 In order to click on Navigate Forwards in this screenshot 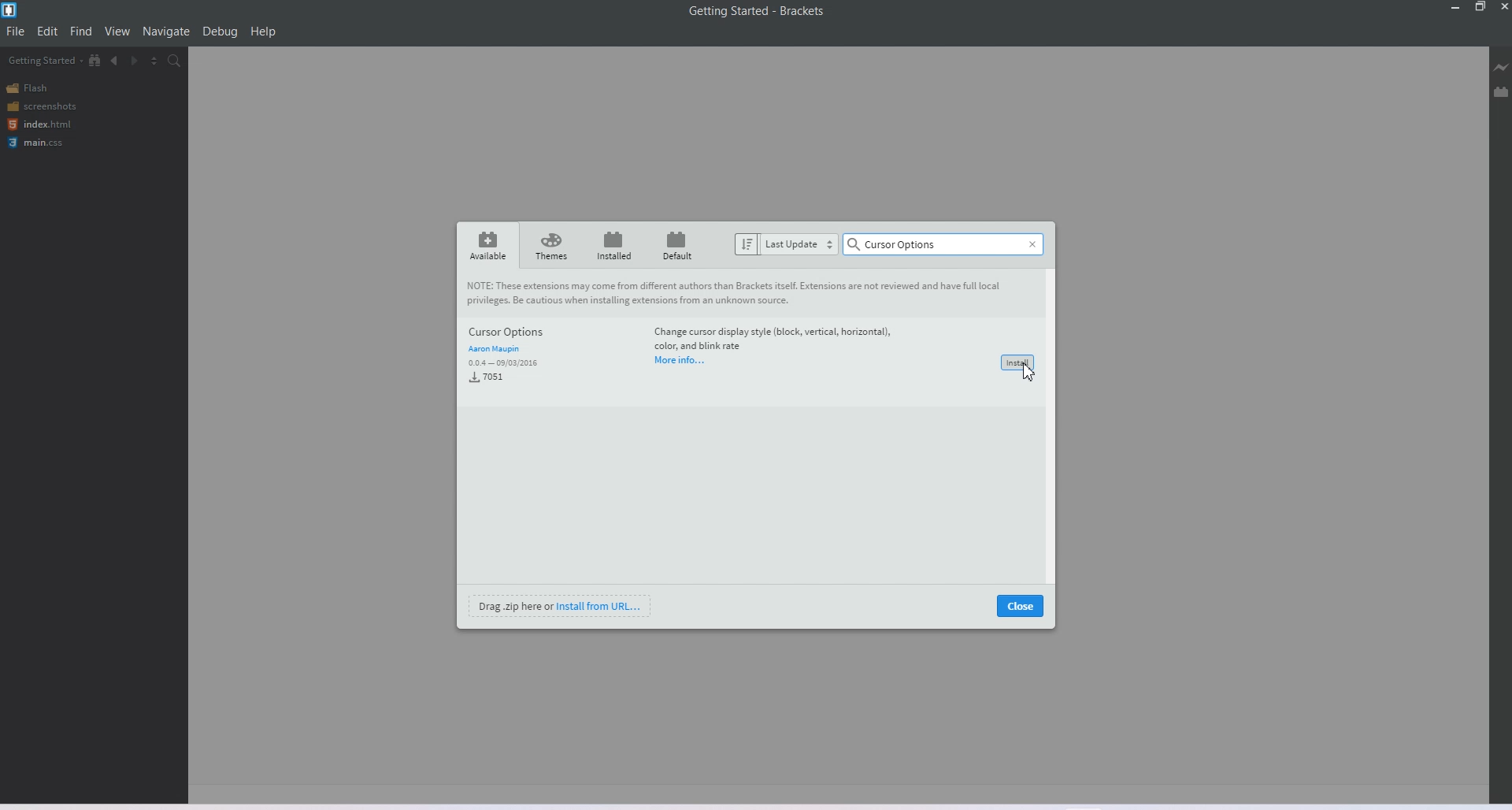, I will do `click(135, 61)`.